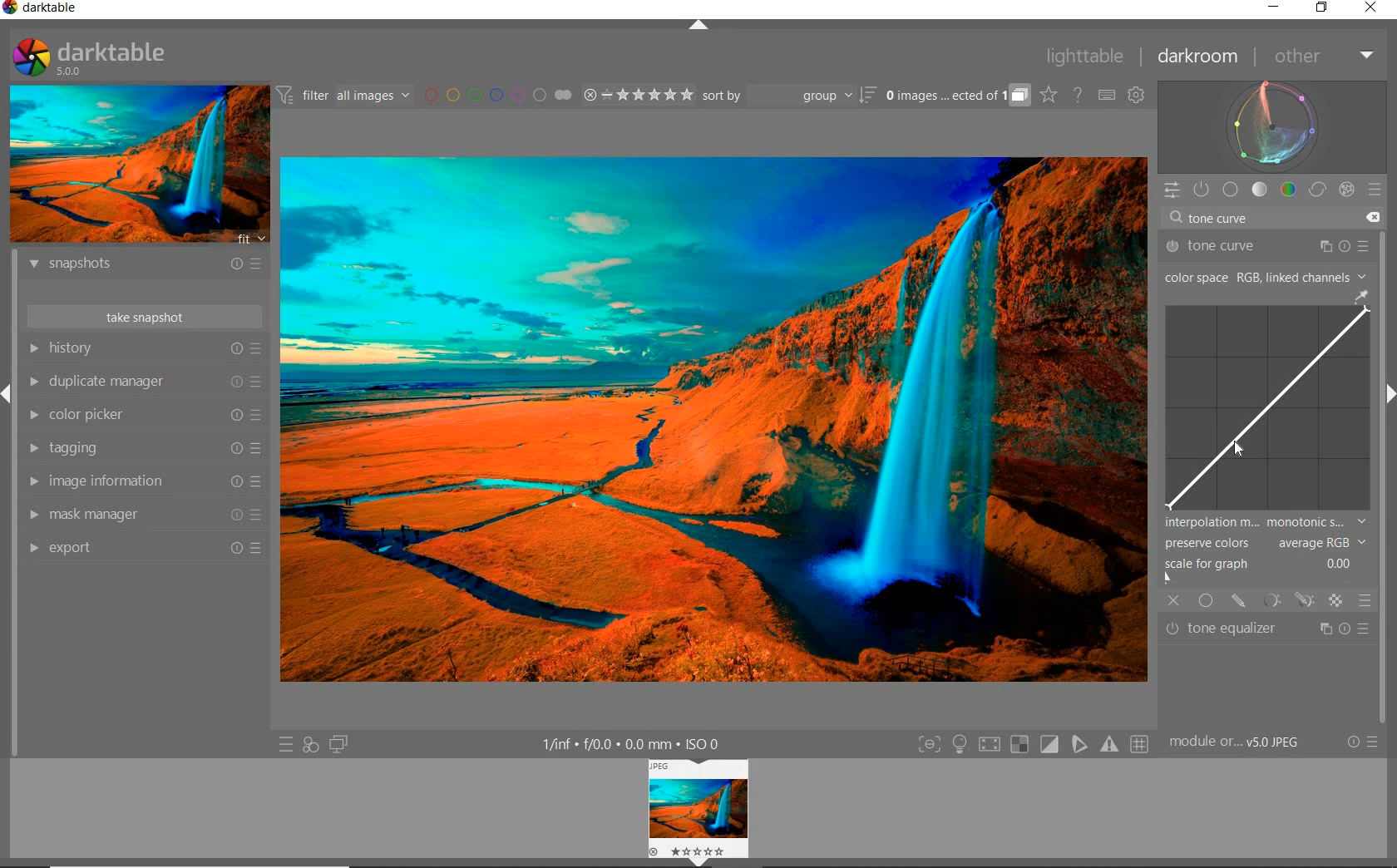 The image size is (1397, 868). Describe the element at coordinates (638, 94) in the screenshot. I see `RANGE RATING OF SELECTED IMAGES` at that location.